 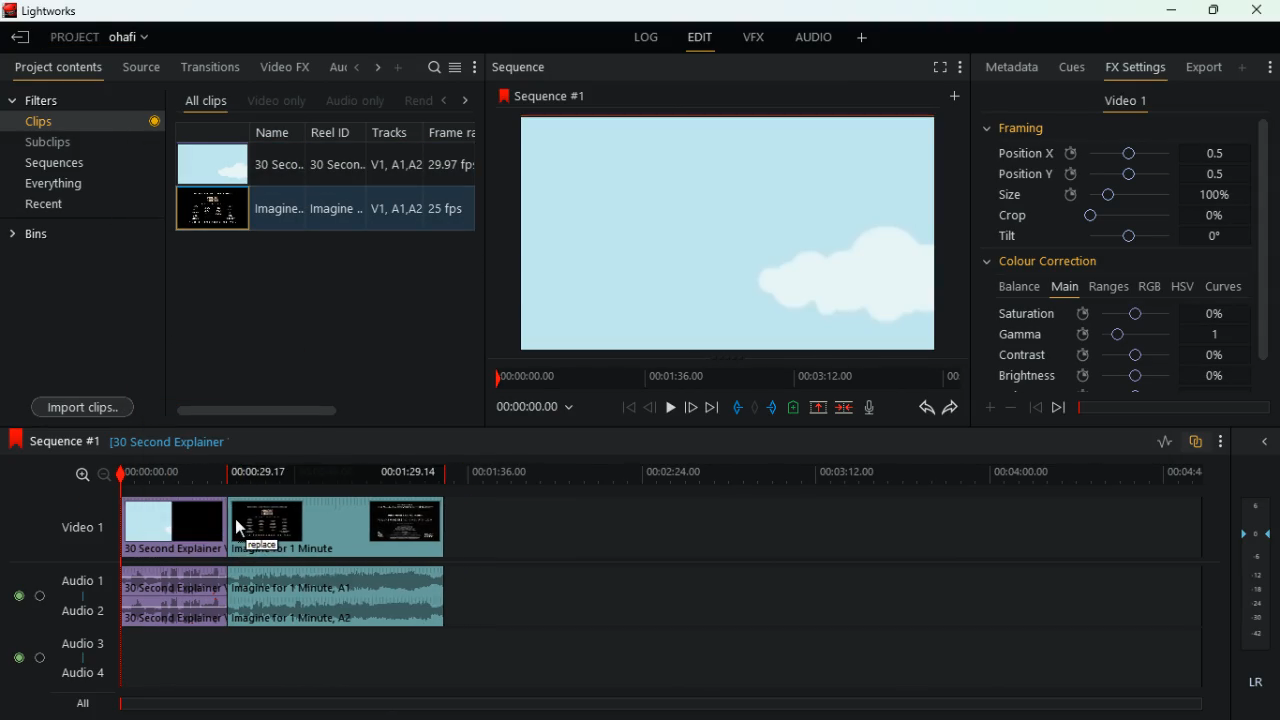 I want to click on project content, so click(x=59, y=69).